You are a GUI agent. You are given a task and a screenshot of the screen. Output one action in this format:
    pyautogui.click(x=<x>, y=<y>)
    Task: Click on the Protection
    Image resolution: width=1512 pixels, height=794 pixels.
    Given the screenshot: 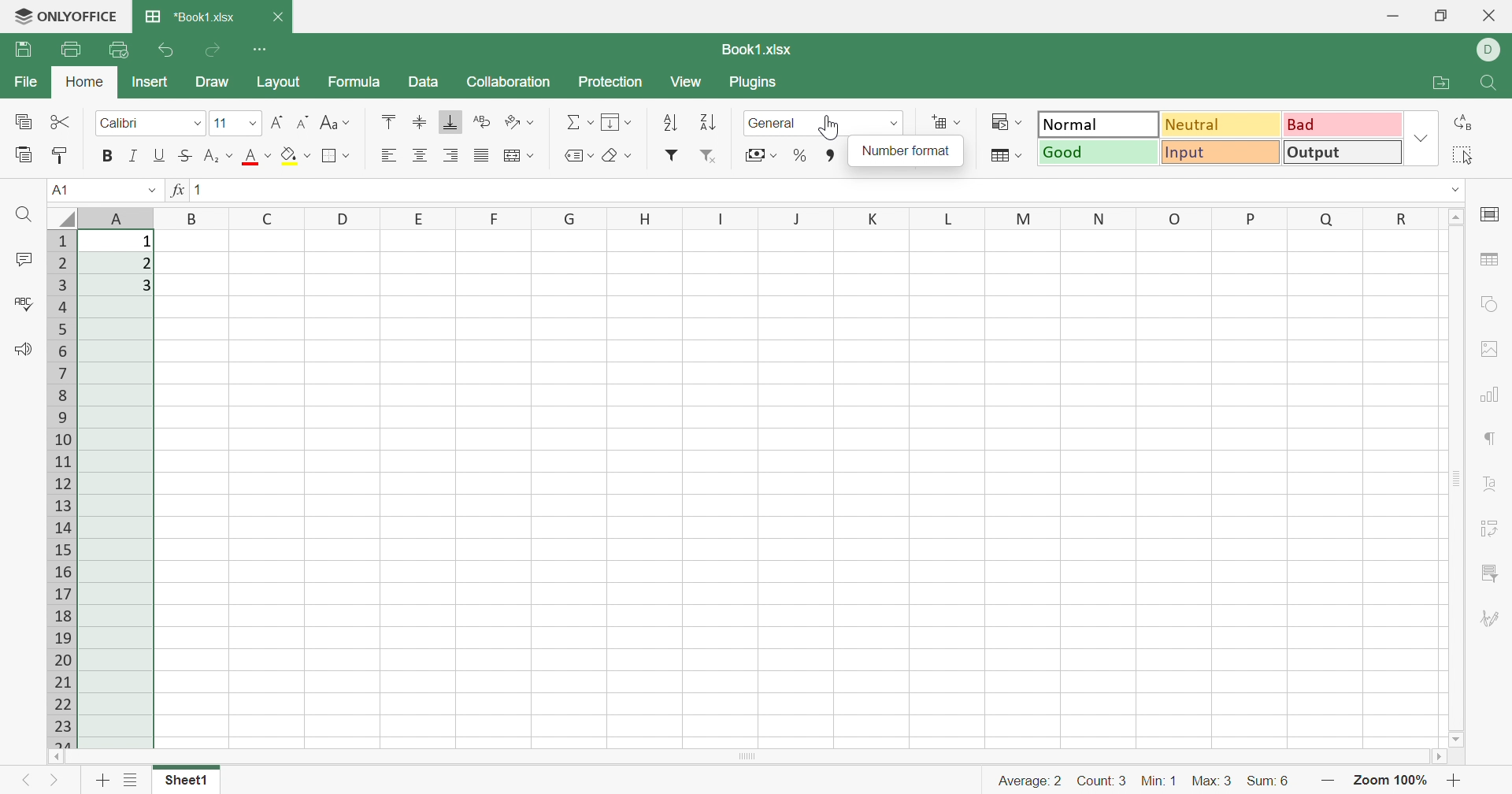 What is the action you would take?
    pyautogui.click(x=613, y=82)
    